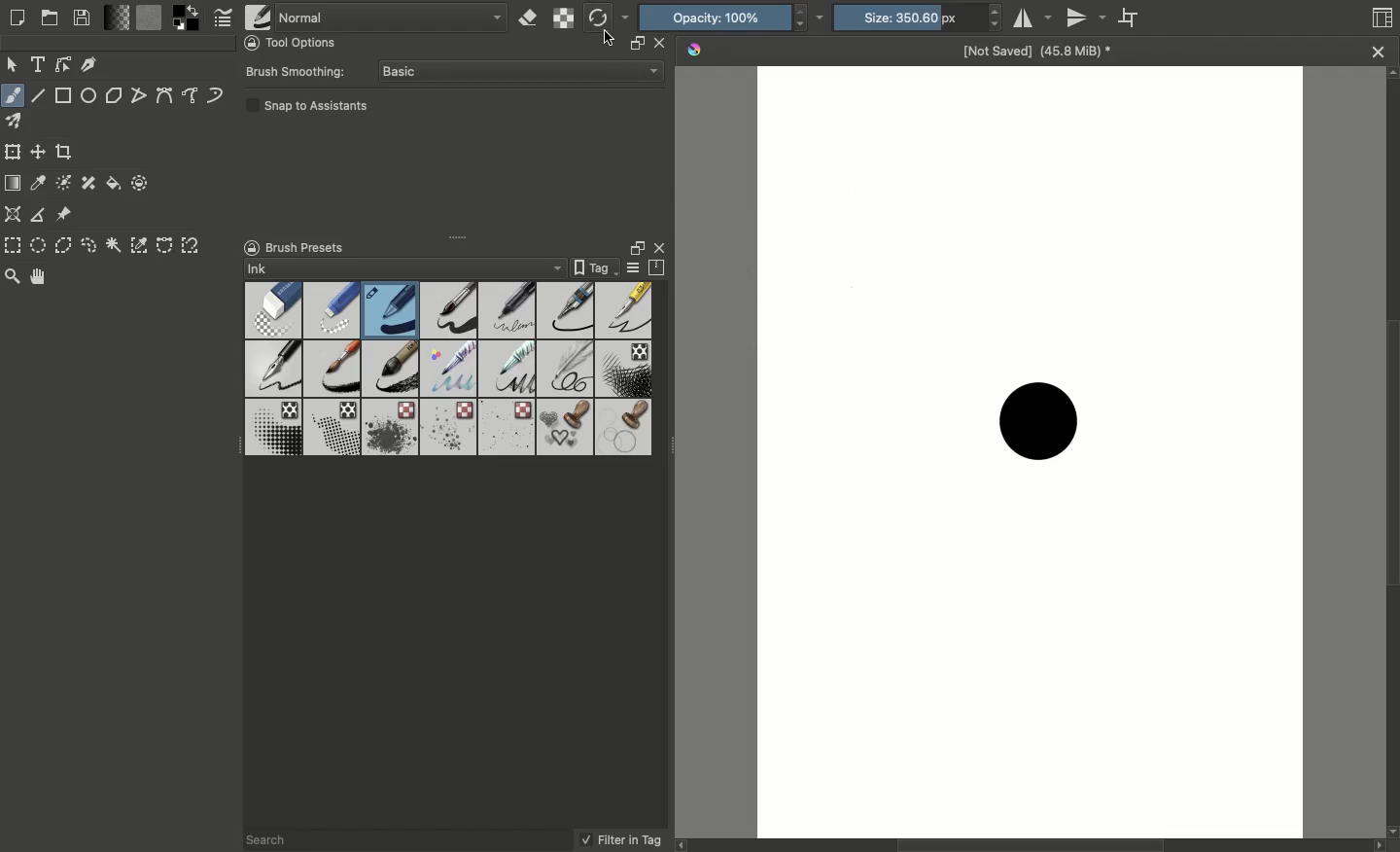  Describe the element at coordinates (393, 16) in the screenshot. I see `Normal` at that location.